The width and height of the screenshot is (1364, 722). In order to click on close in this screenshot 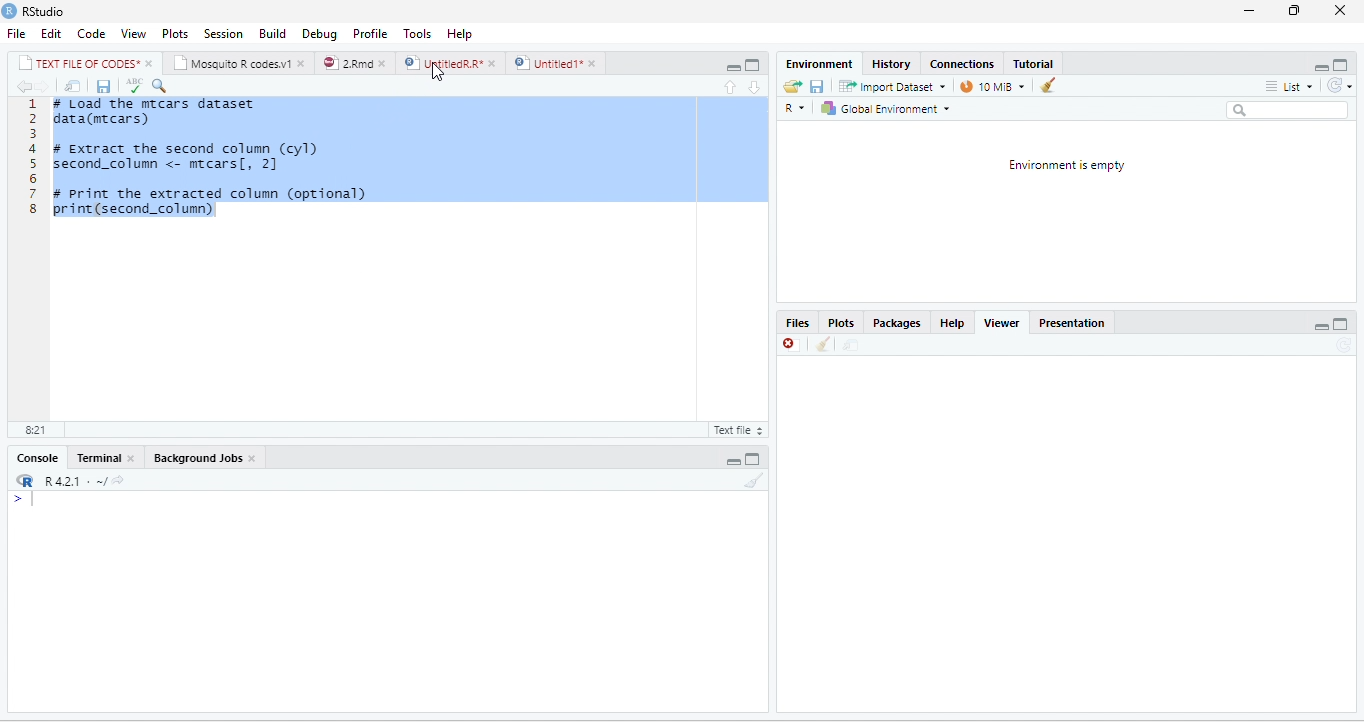, I will do `click(133, 458)`.